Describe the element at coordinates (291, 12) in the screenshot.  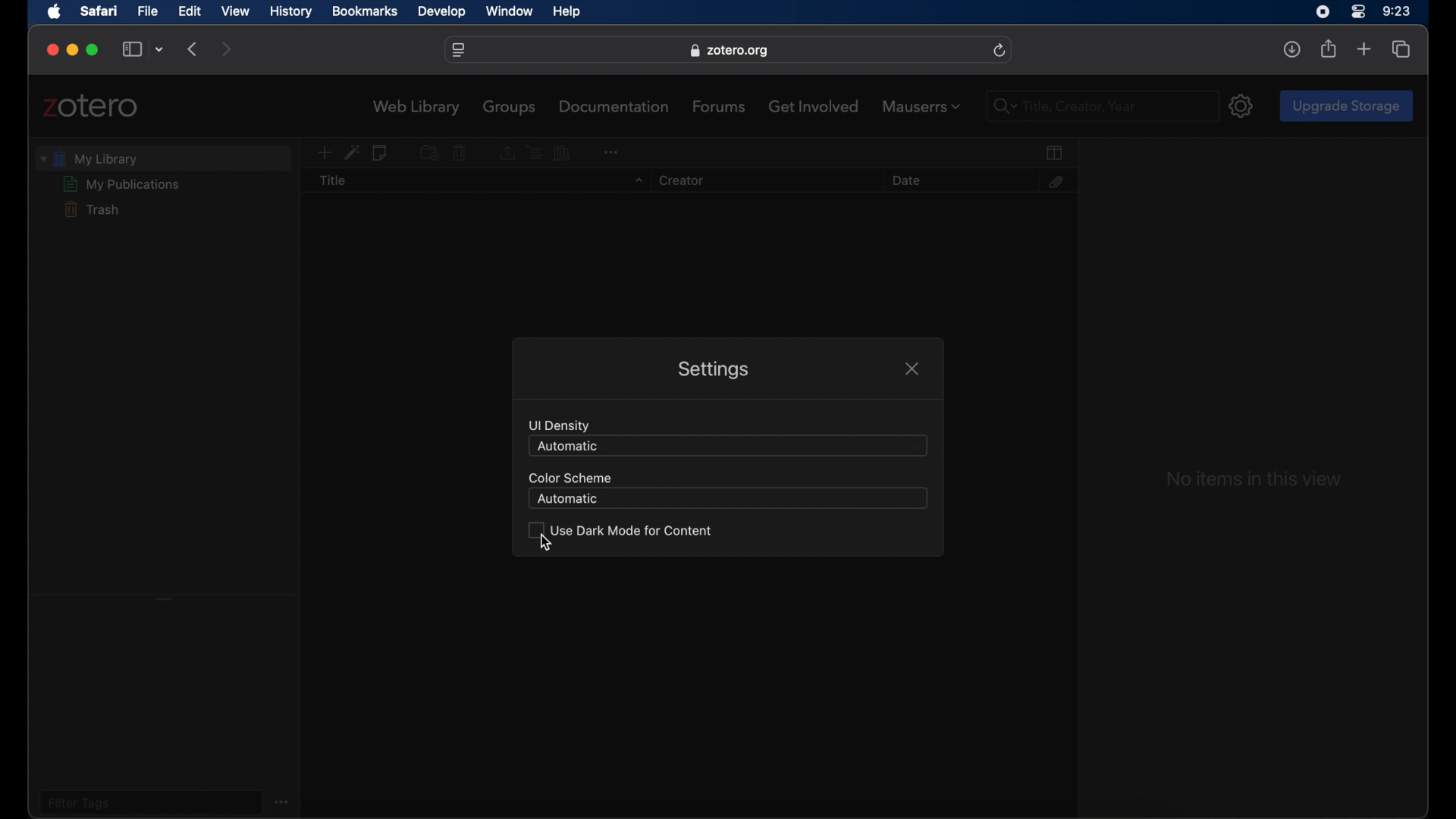
I see `history` at that location.